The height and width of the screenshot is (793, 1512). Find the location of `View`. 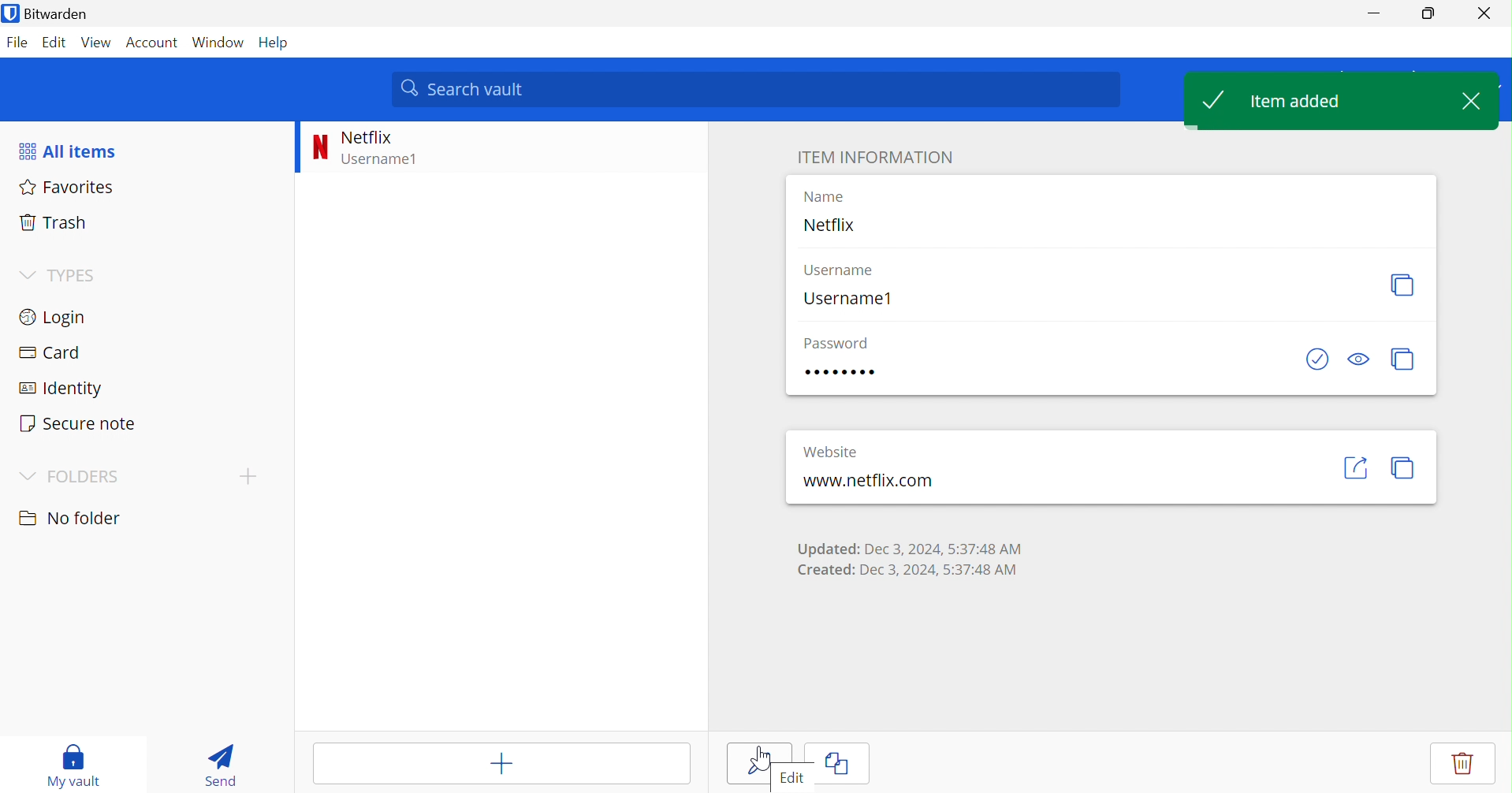

View is located at coordinates (96, 43).